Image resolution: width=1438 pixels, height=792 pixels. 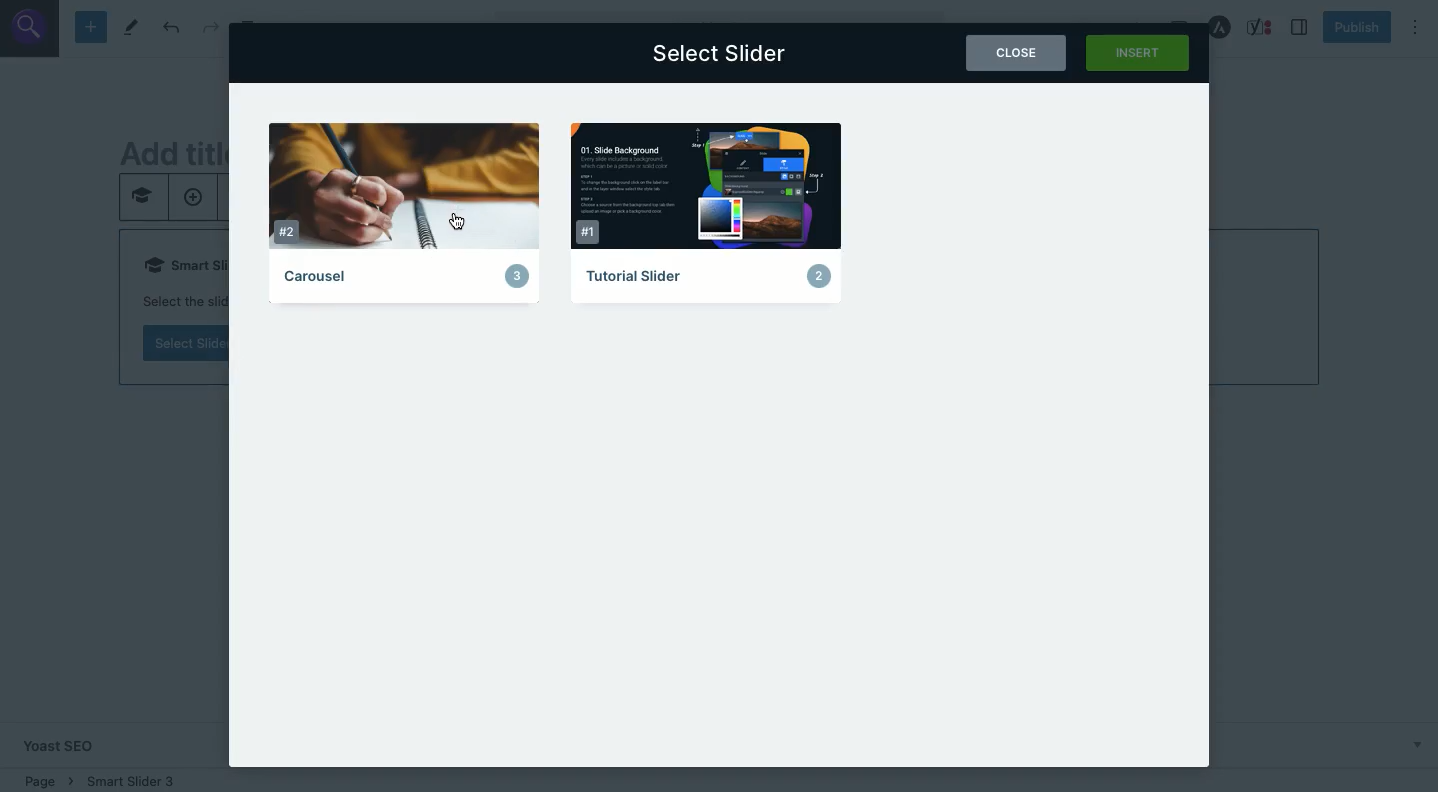 What do you see at coordinates (129, 777) in the screenshot?
I see `smart sider 3` at bounding box center [129, 777].